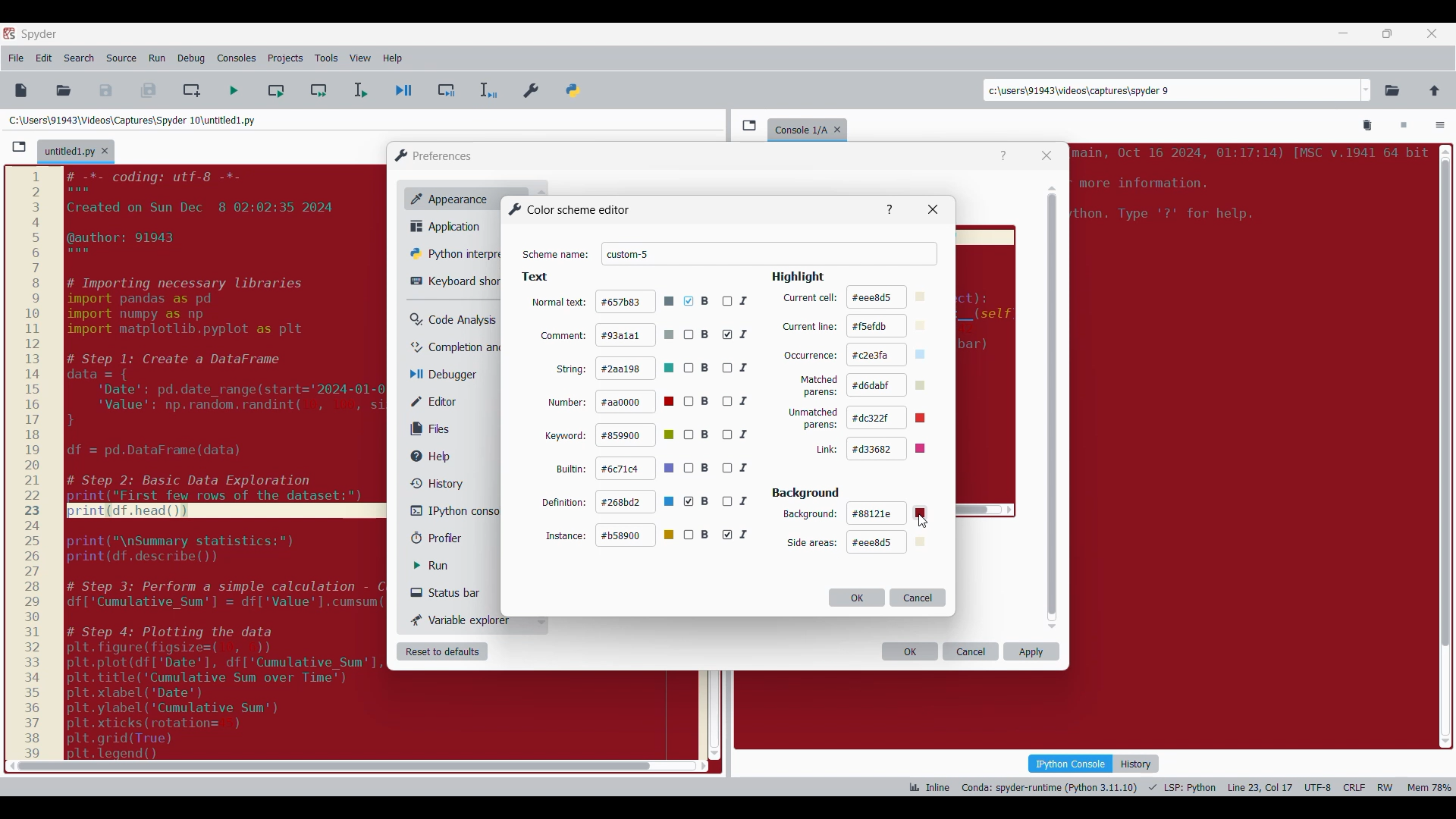 Image resolution: width=1456 pixels, height=819 pixels. I want to click on Close tab, so click(1432, 33).